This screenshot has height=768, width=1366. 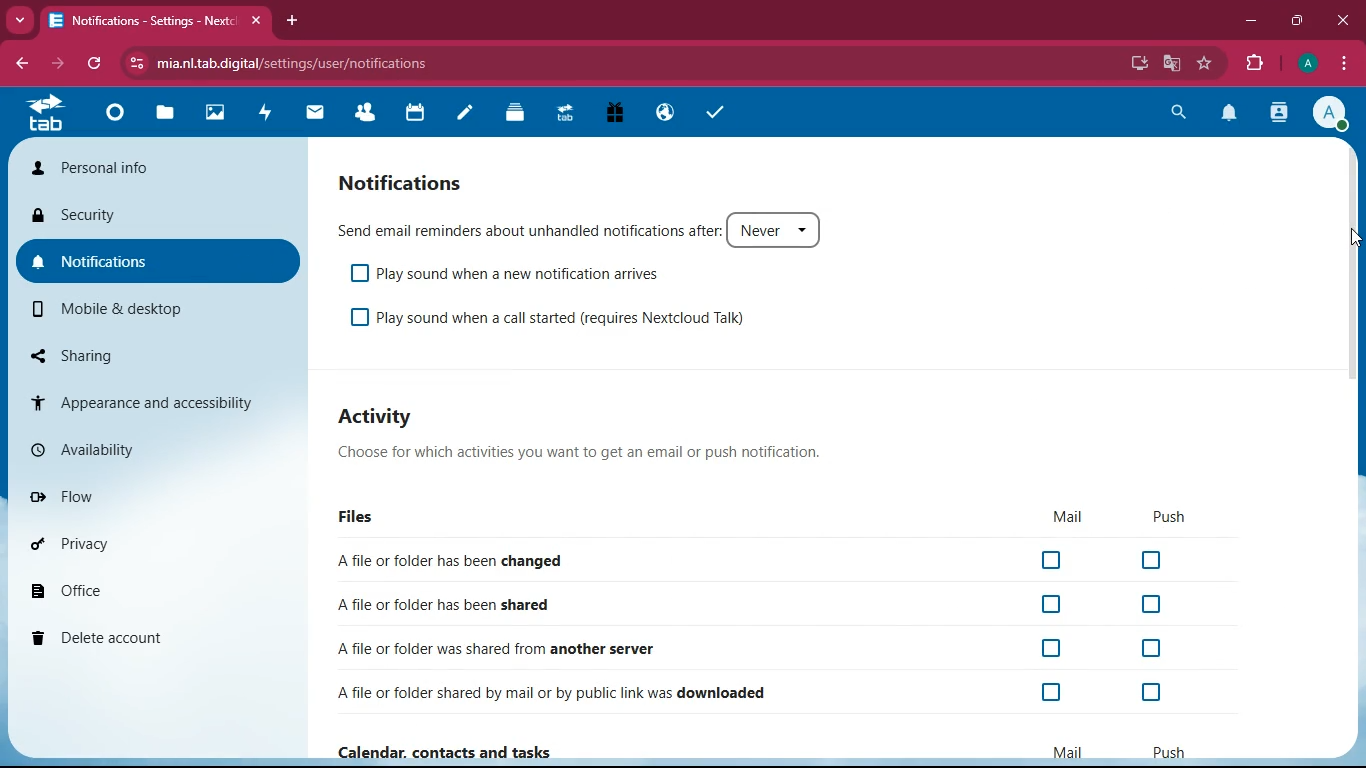 I want to click on A file or folder shared by mail or by public link was downloaded, so click(x=758, y=689).